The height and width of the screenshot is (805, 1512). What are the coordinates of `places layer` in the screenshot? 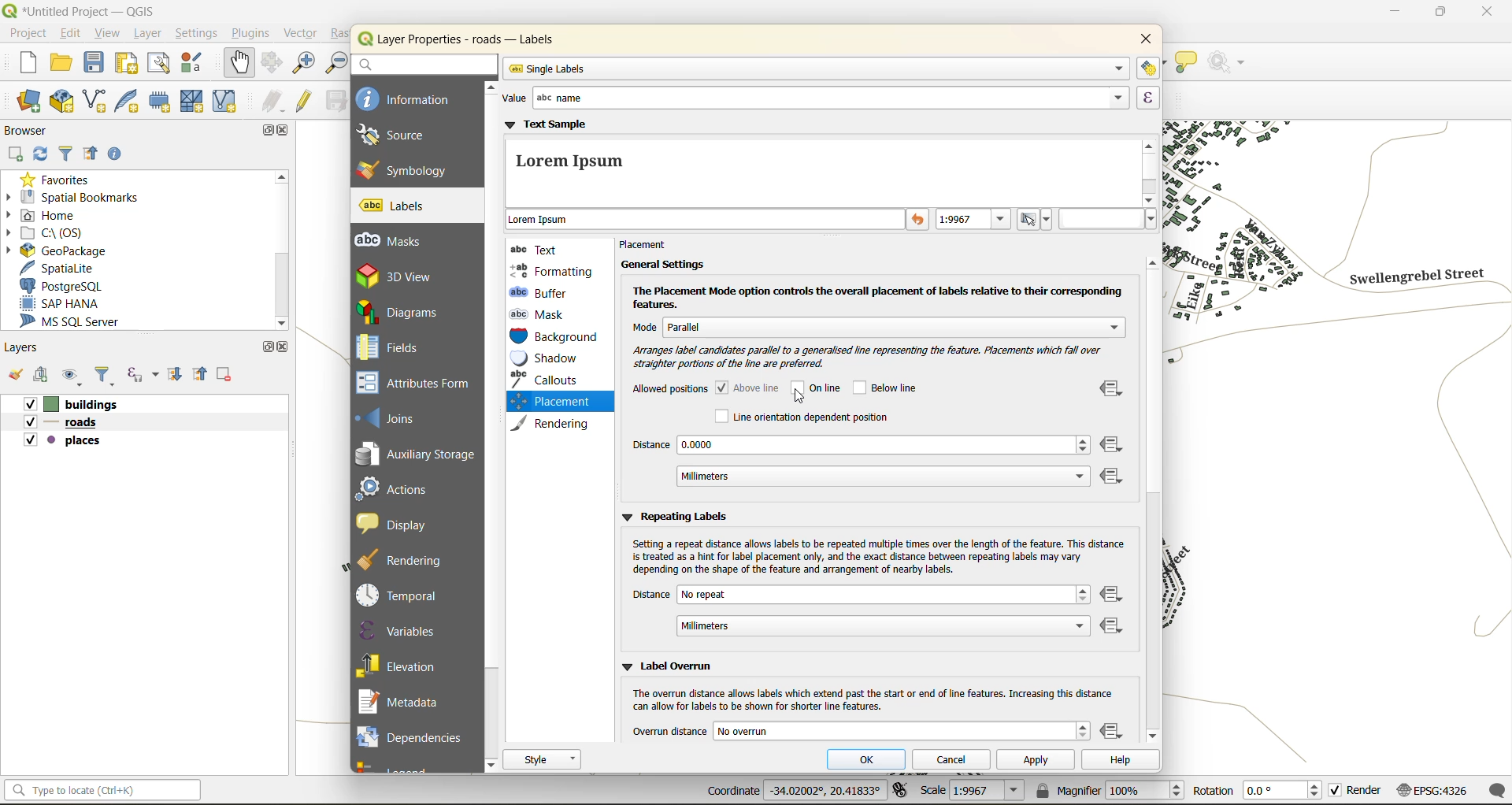 It's located at (63, 441).